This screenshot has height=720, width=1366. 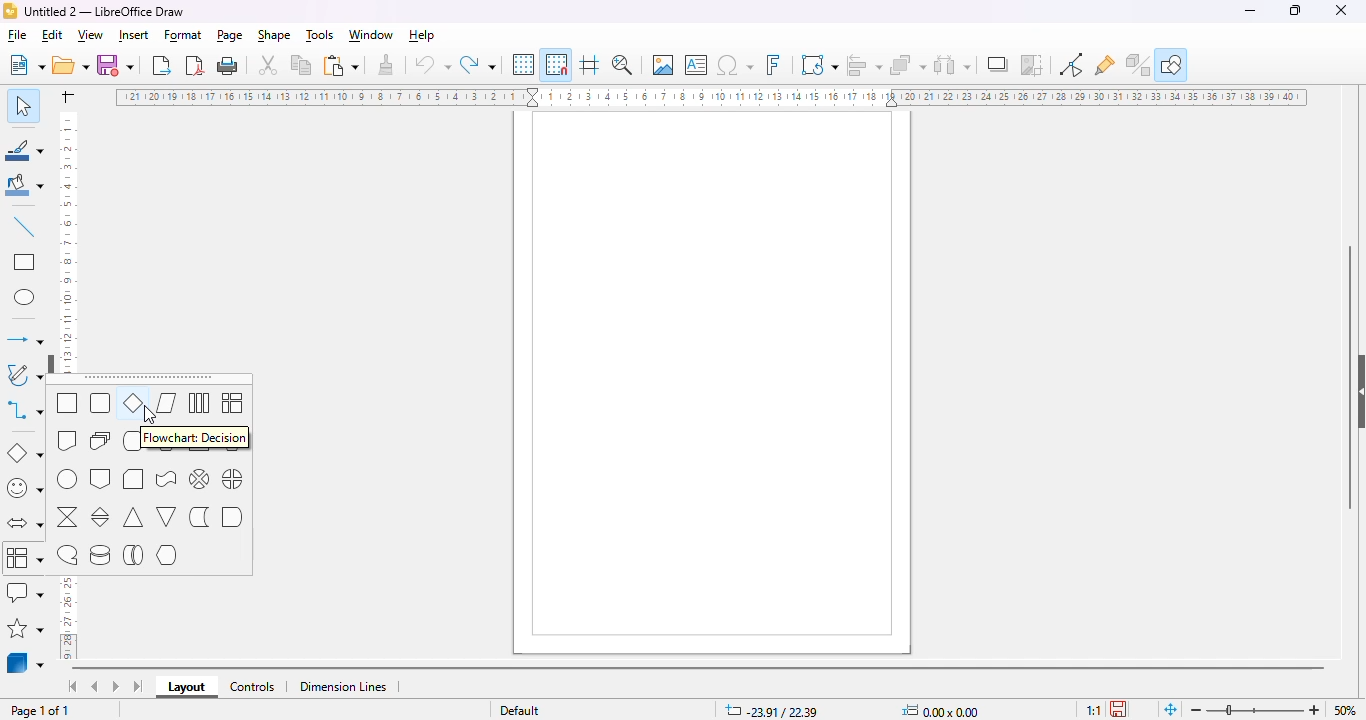 I want to click on insert line, so click(x=25, y=227).